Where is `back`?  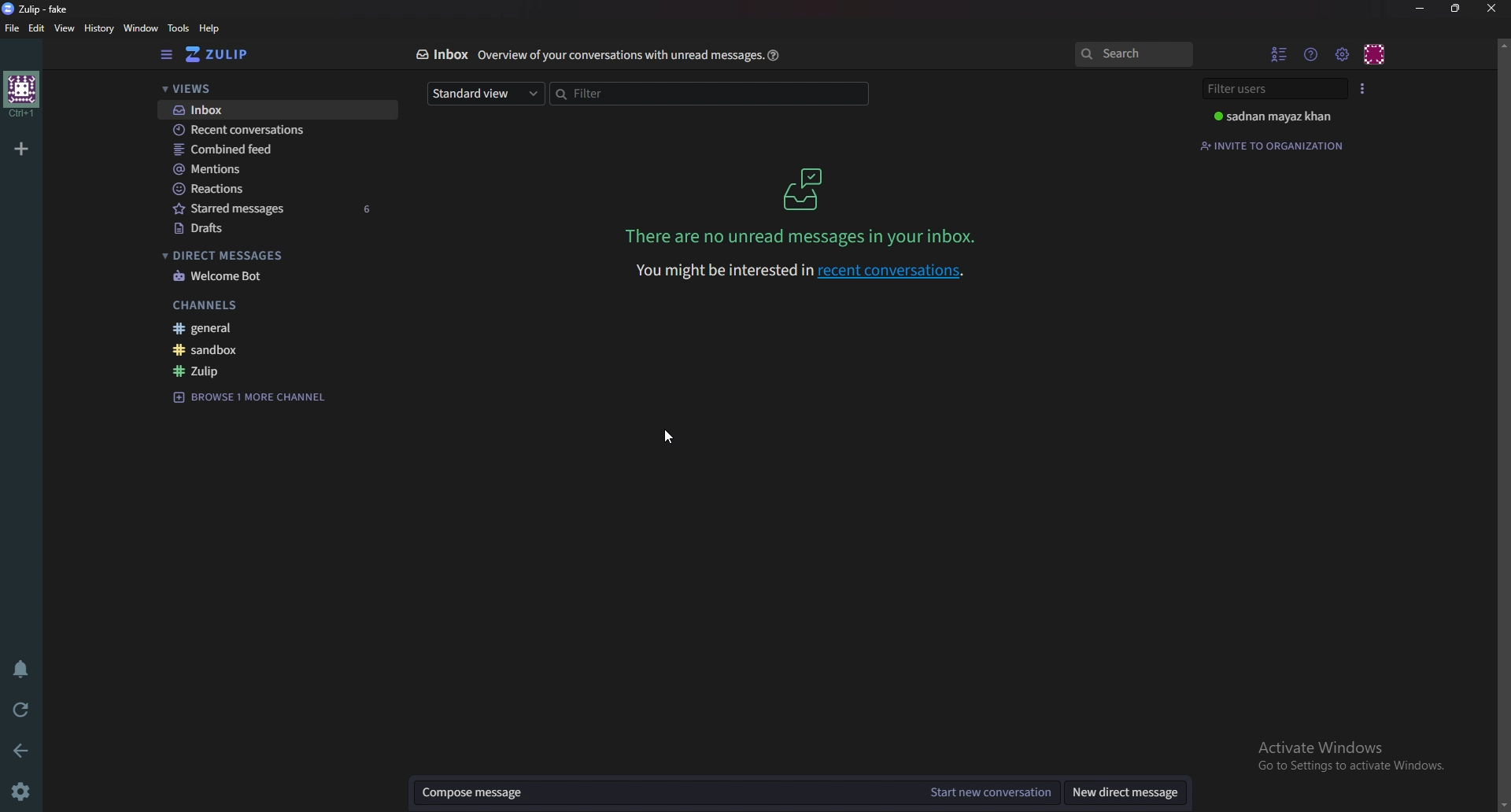 back is located at coordinates (17, 749).